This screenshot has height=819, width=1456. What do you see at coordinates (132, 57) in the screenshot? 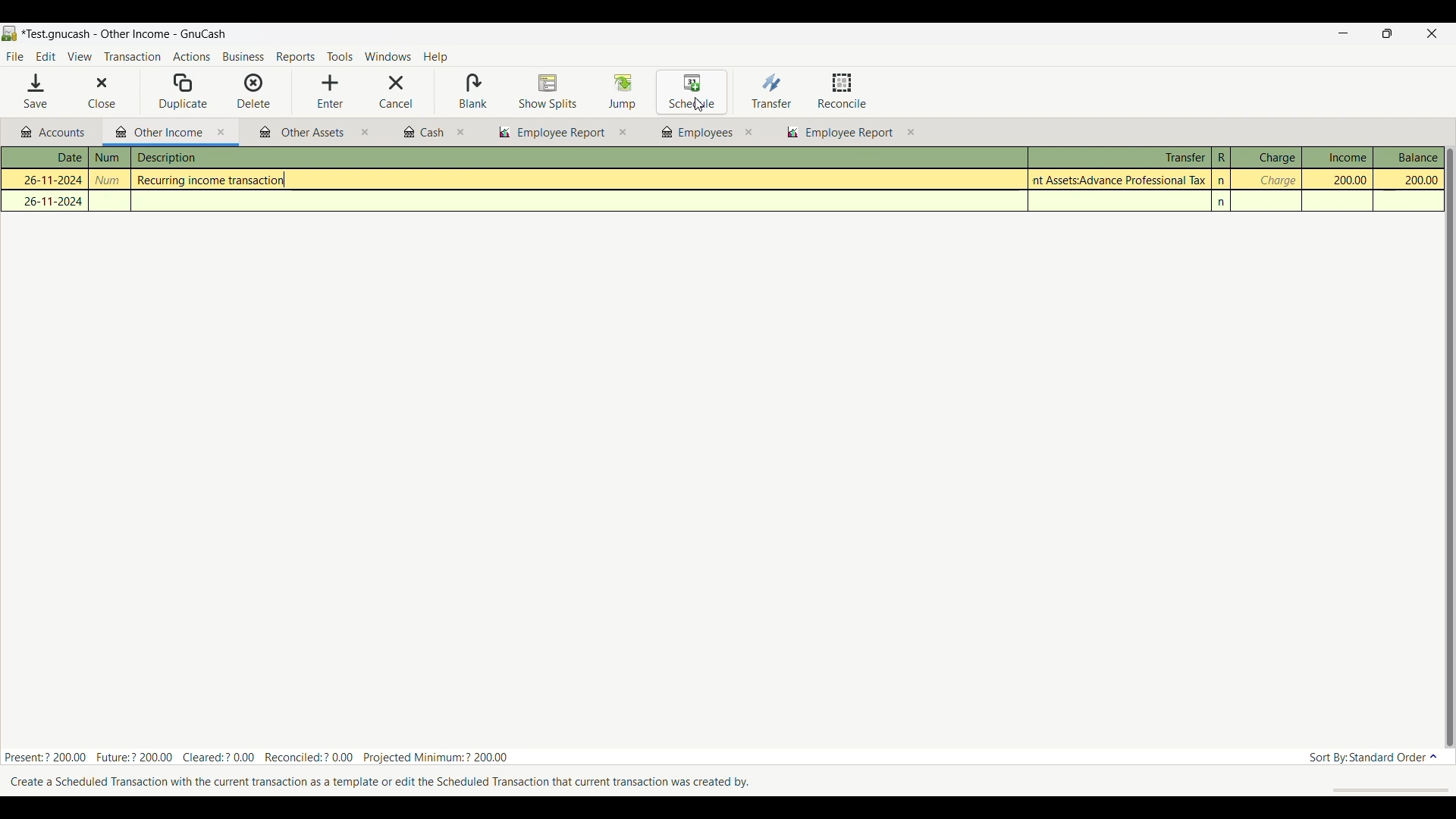
I see `Transaction menu` at bounding box center [132, 57].